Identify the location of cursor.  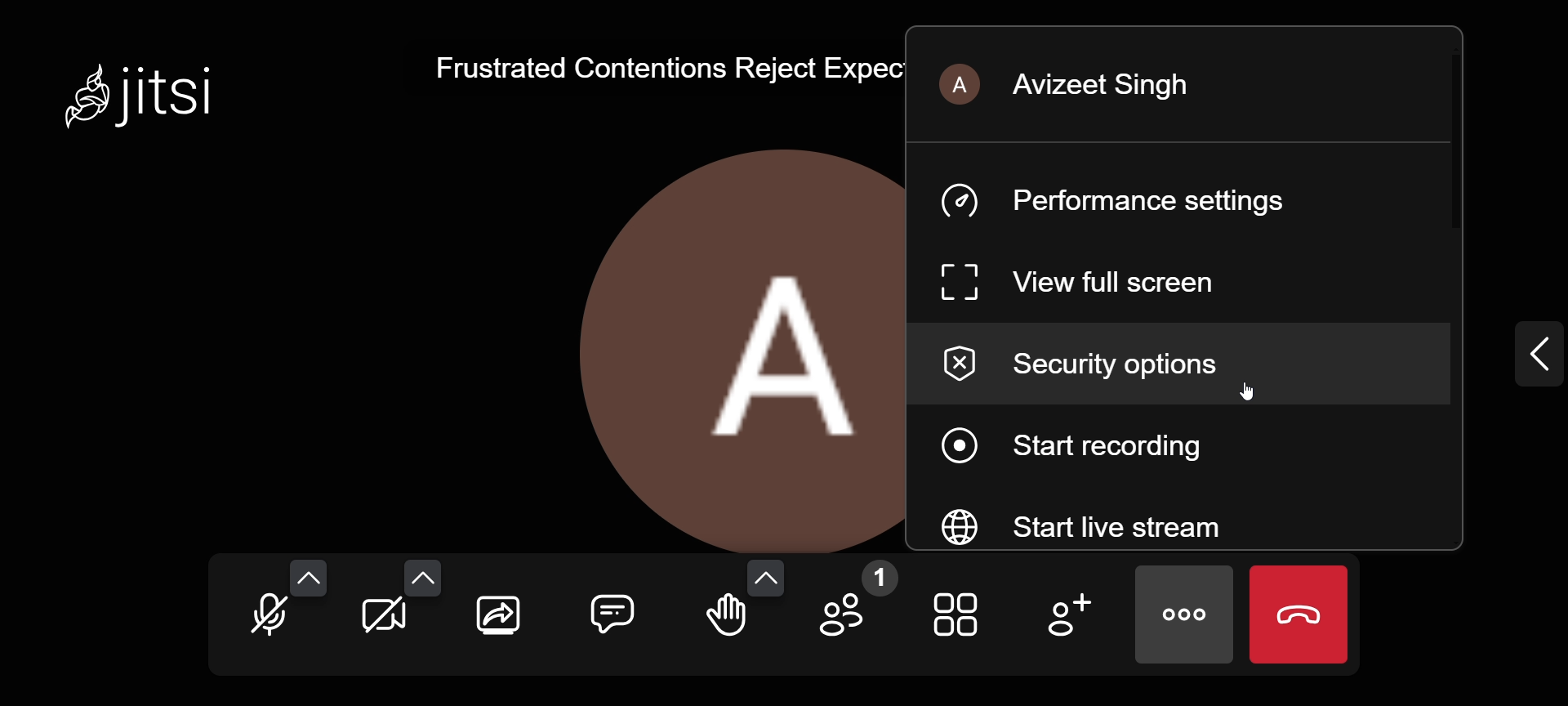
(1245, 399).